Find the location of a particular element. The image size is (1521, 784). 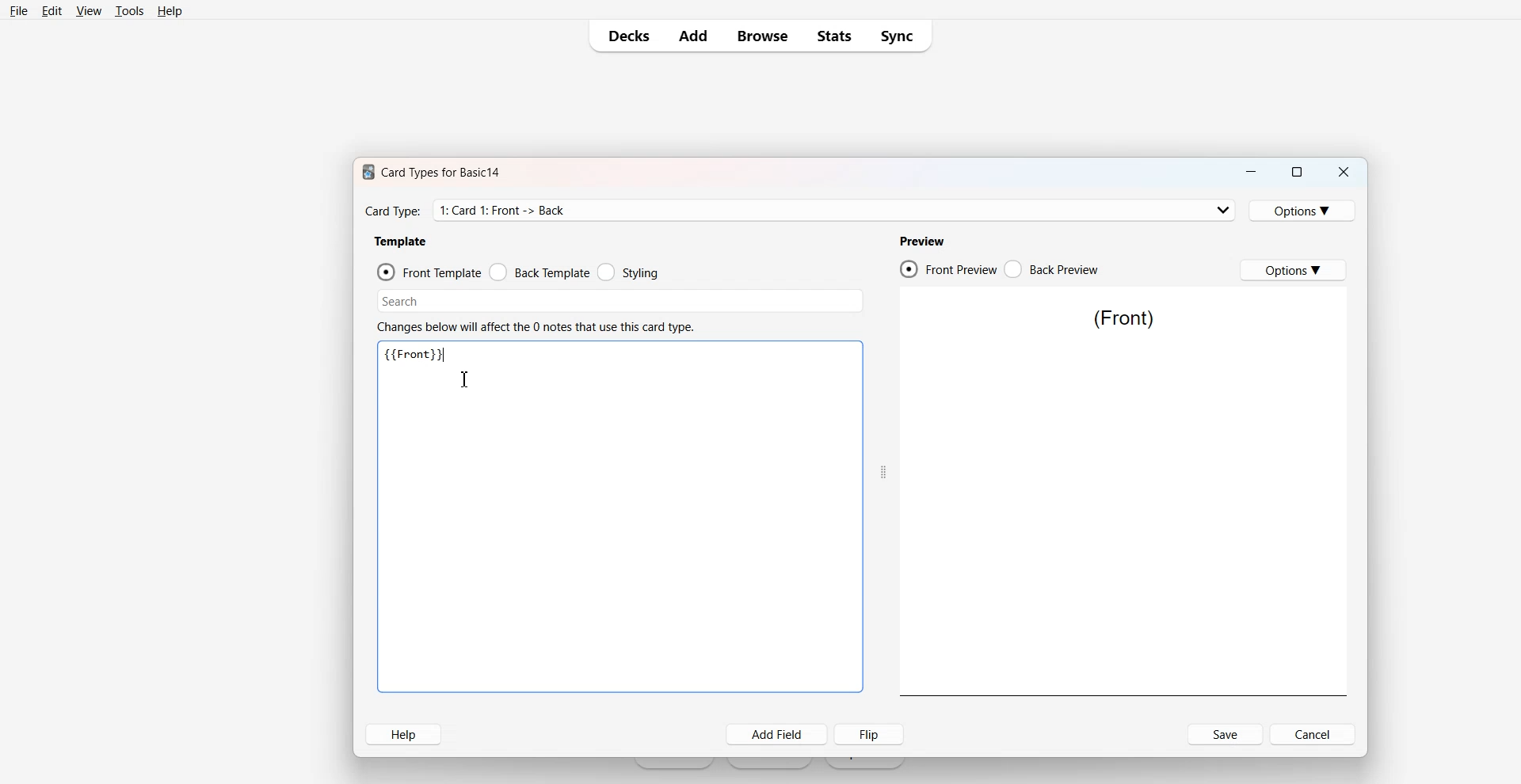

Options is located at coordinates (1293, 270).